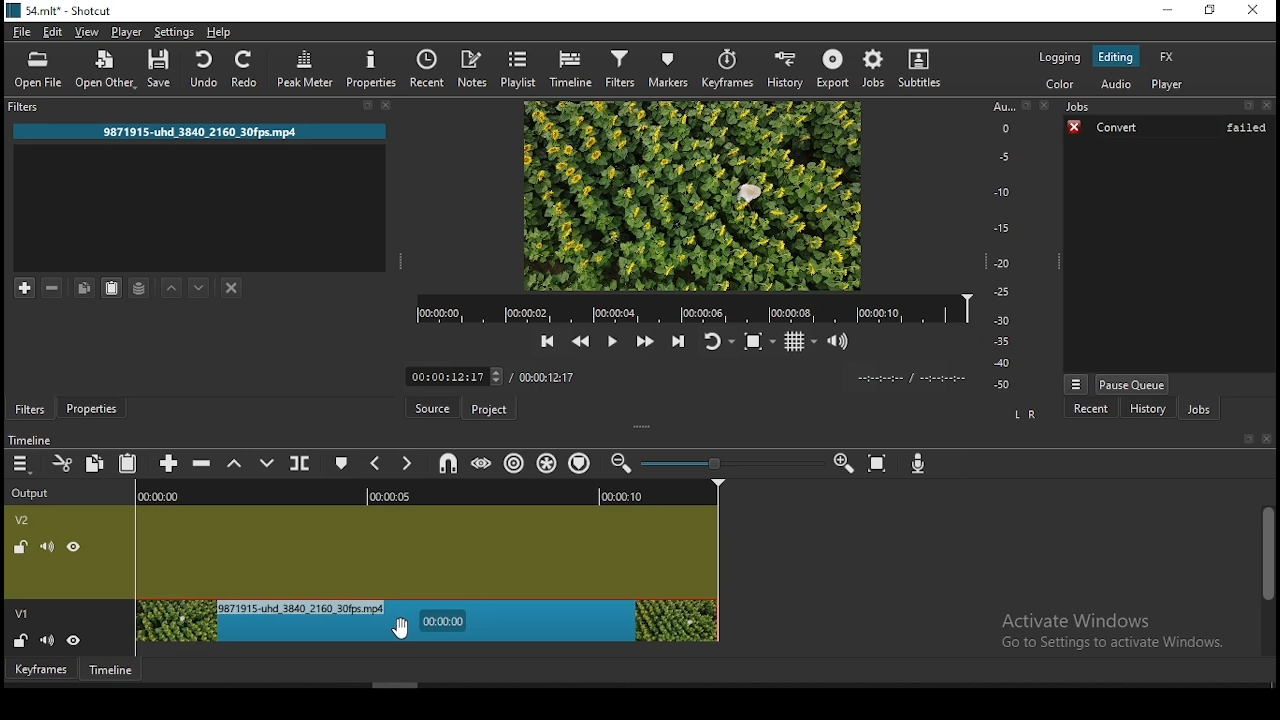 The height and width of the screenshot is (720, 1280). I want to click on scale, so click(1004, 245).